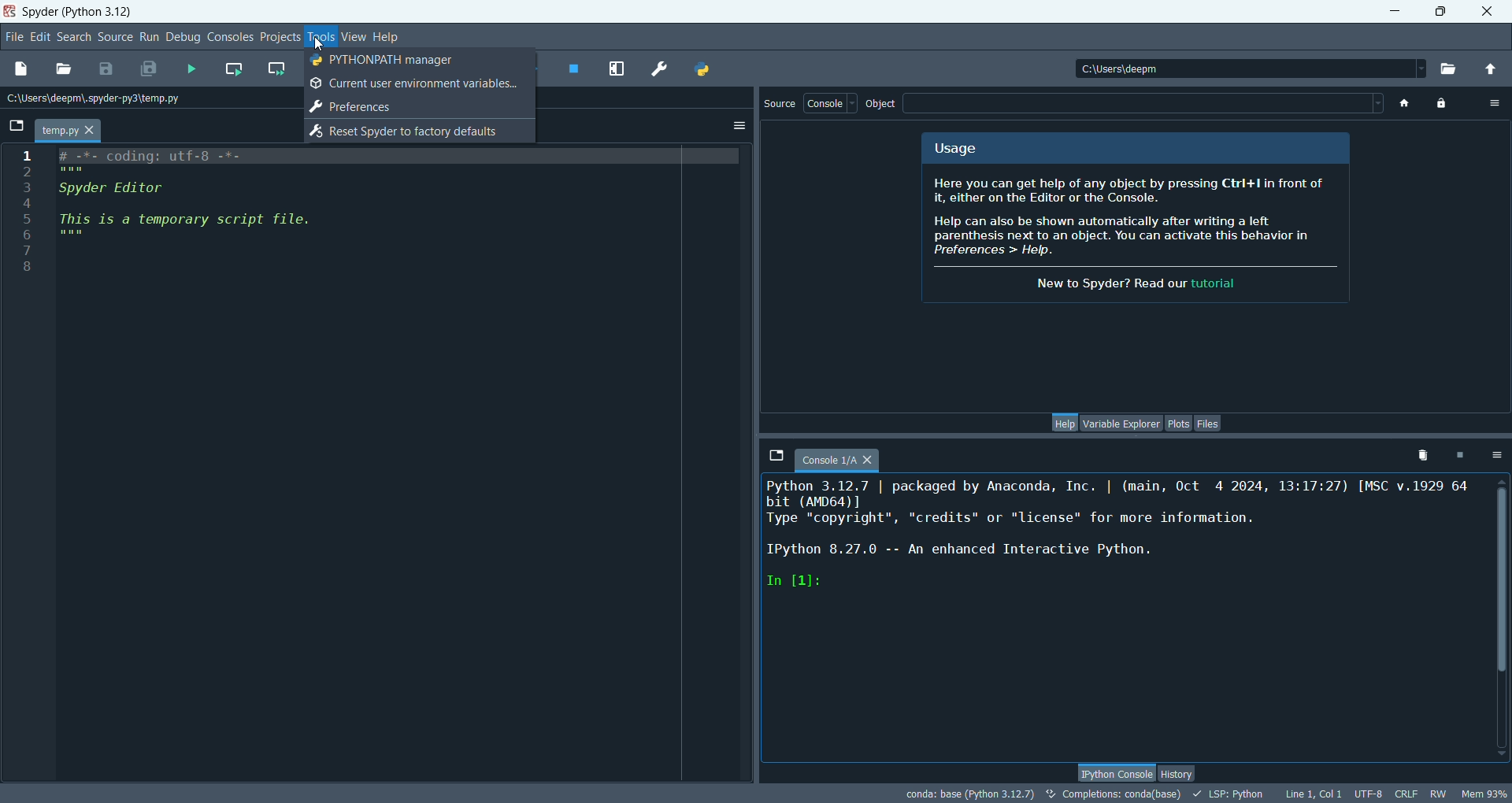 This screenshot has width=1512, height=803. I want to click on history, so click(1183, 772).